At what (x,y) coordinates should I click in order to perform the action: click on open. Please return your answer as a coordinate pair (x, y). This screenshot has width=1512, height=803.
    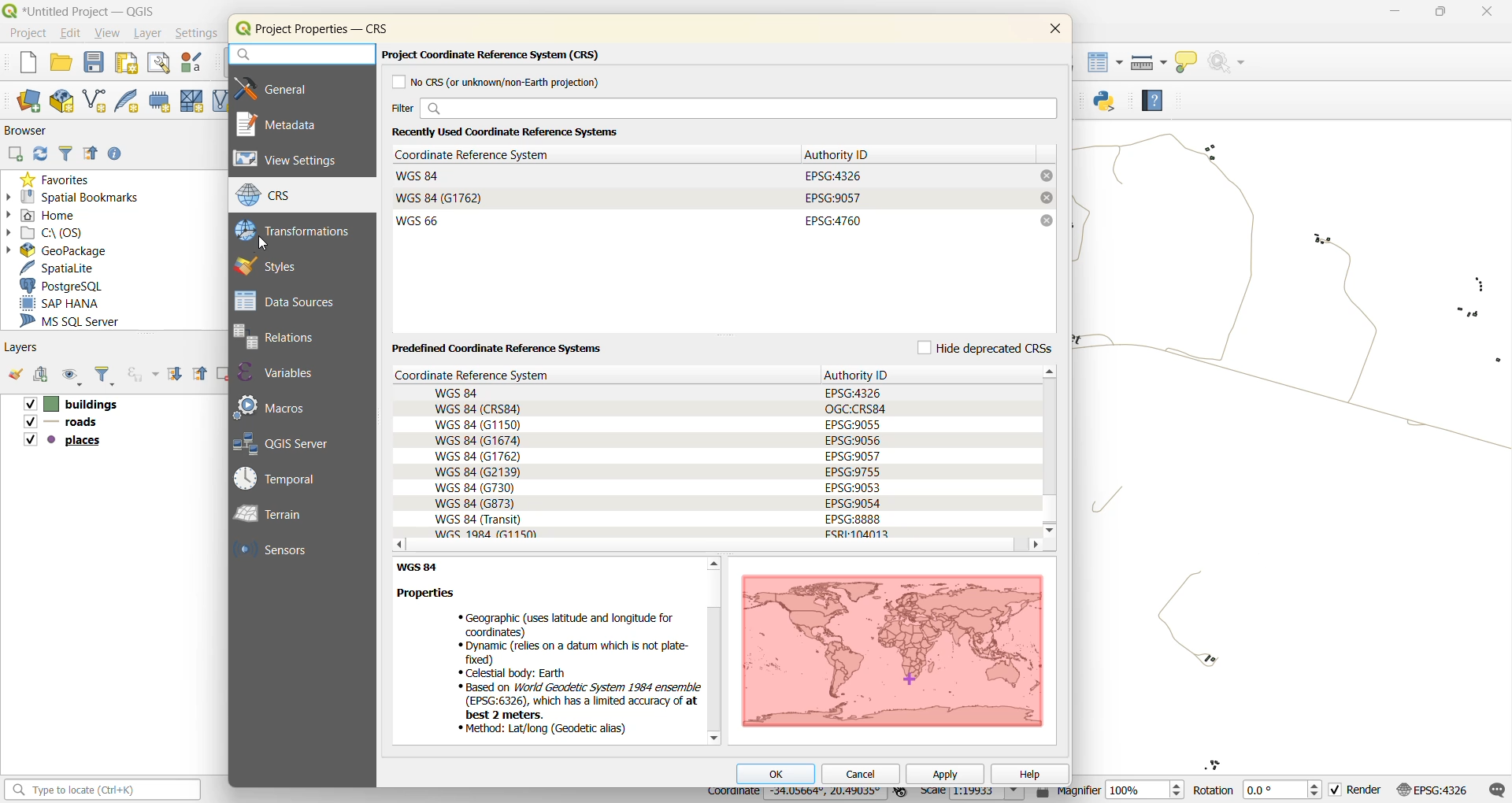
    Looking at the image, I should click on (15, 373).